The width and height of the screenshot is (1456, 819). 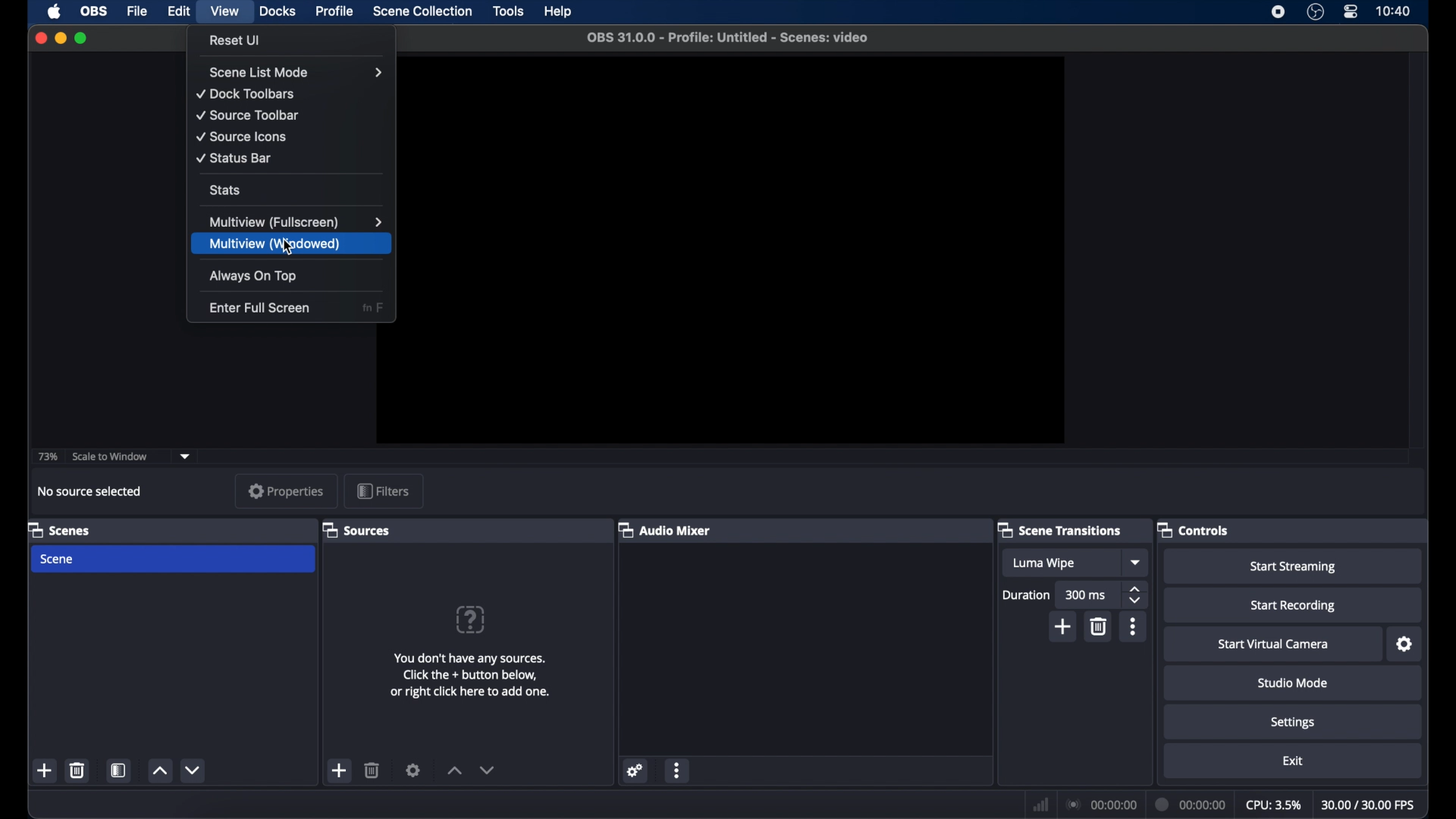 What do you see at coordinates (173, 560) in the screenshot?
I see `scene` at bounding box center [173, 560].